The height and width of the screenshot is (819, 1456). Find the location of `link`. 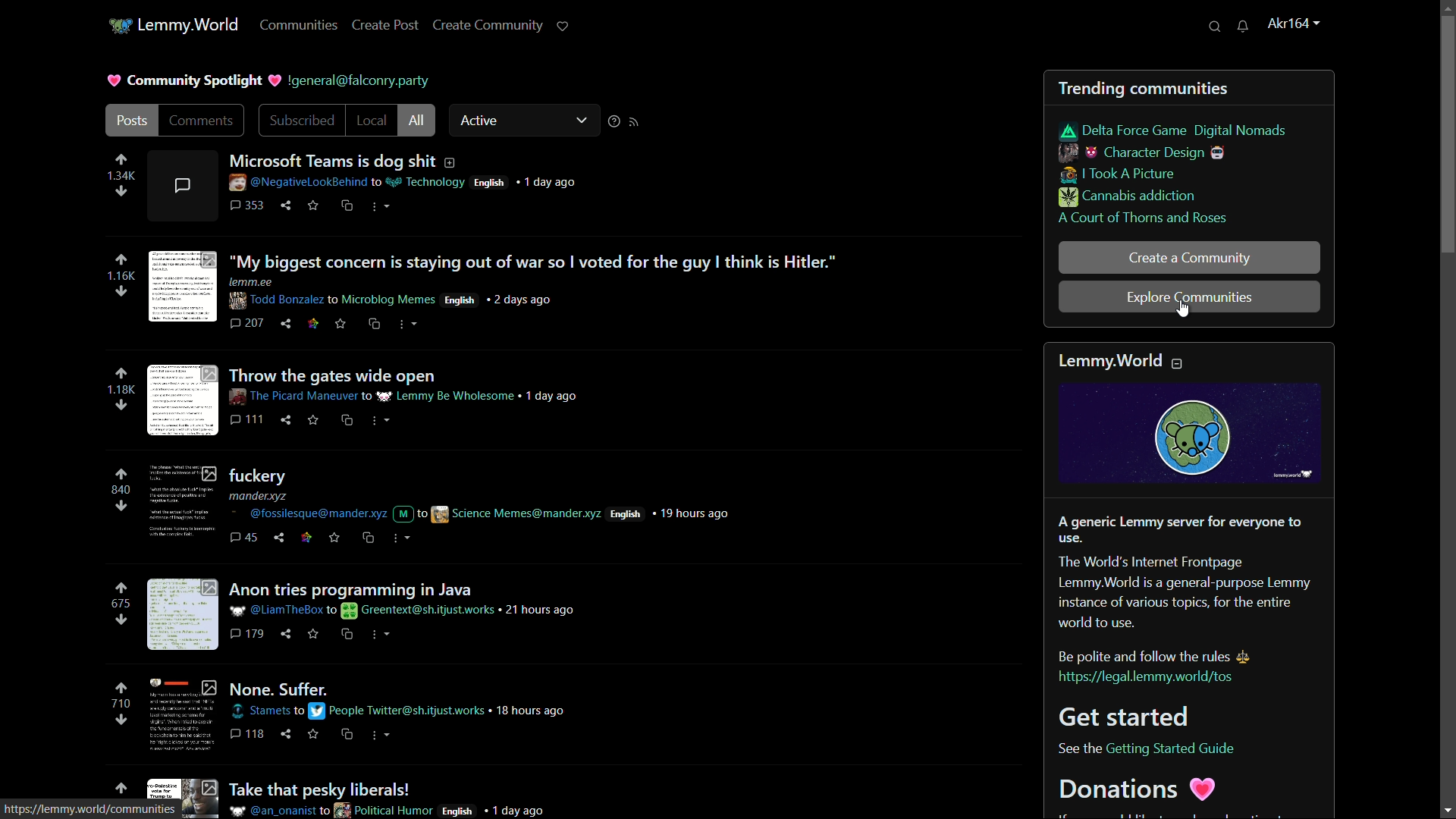

link is located at coordinates (1171, 746).